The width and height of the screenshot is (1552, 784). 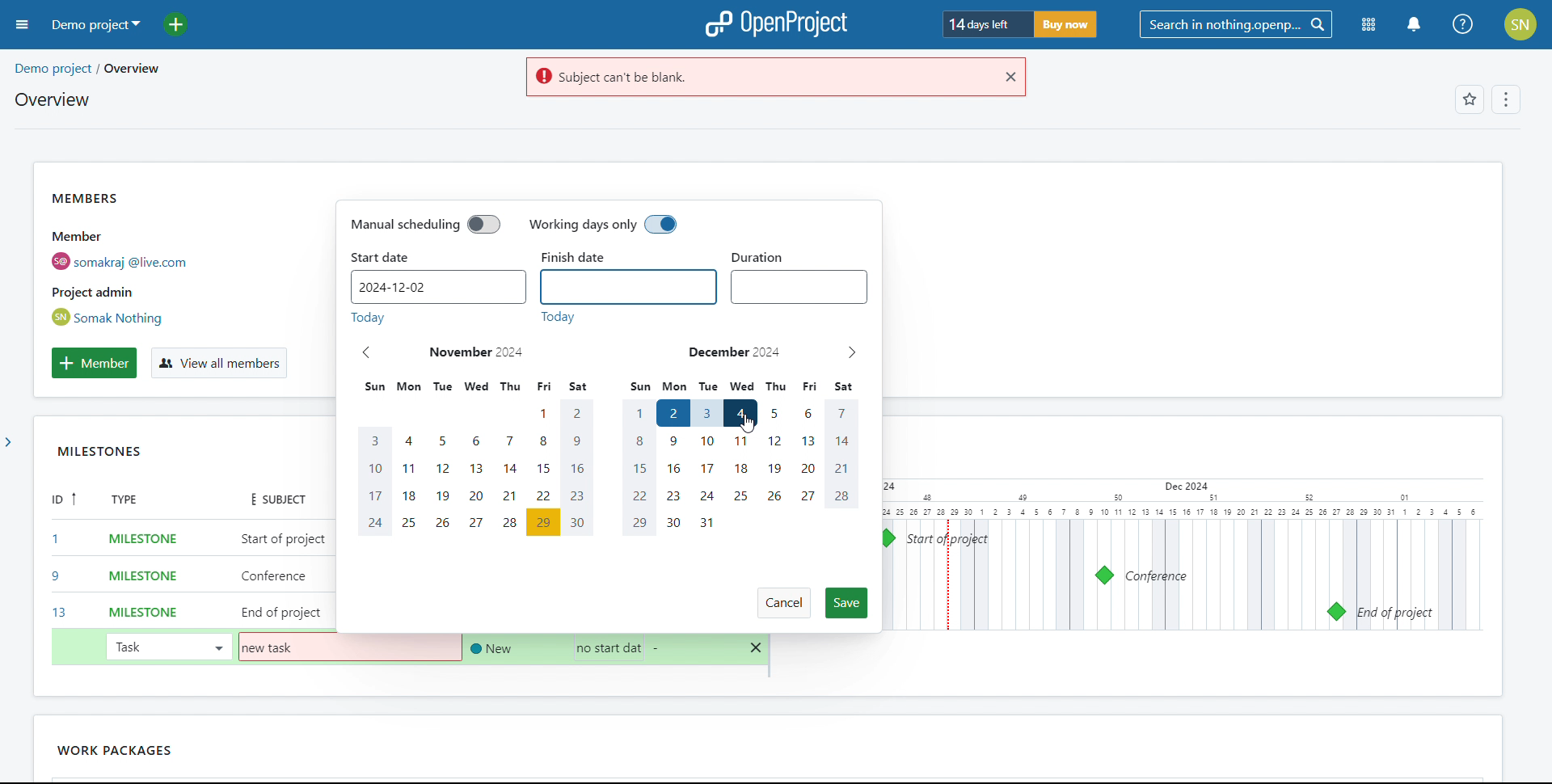 What do you see at coordinates (764, 253) in the screenshot?
I see `duration` at bounding box center [764, 253].